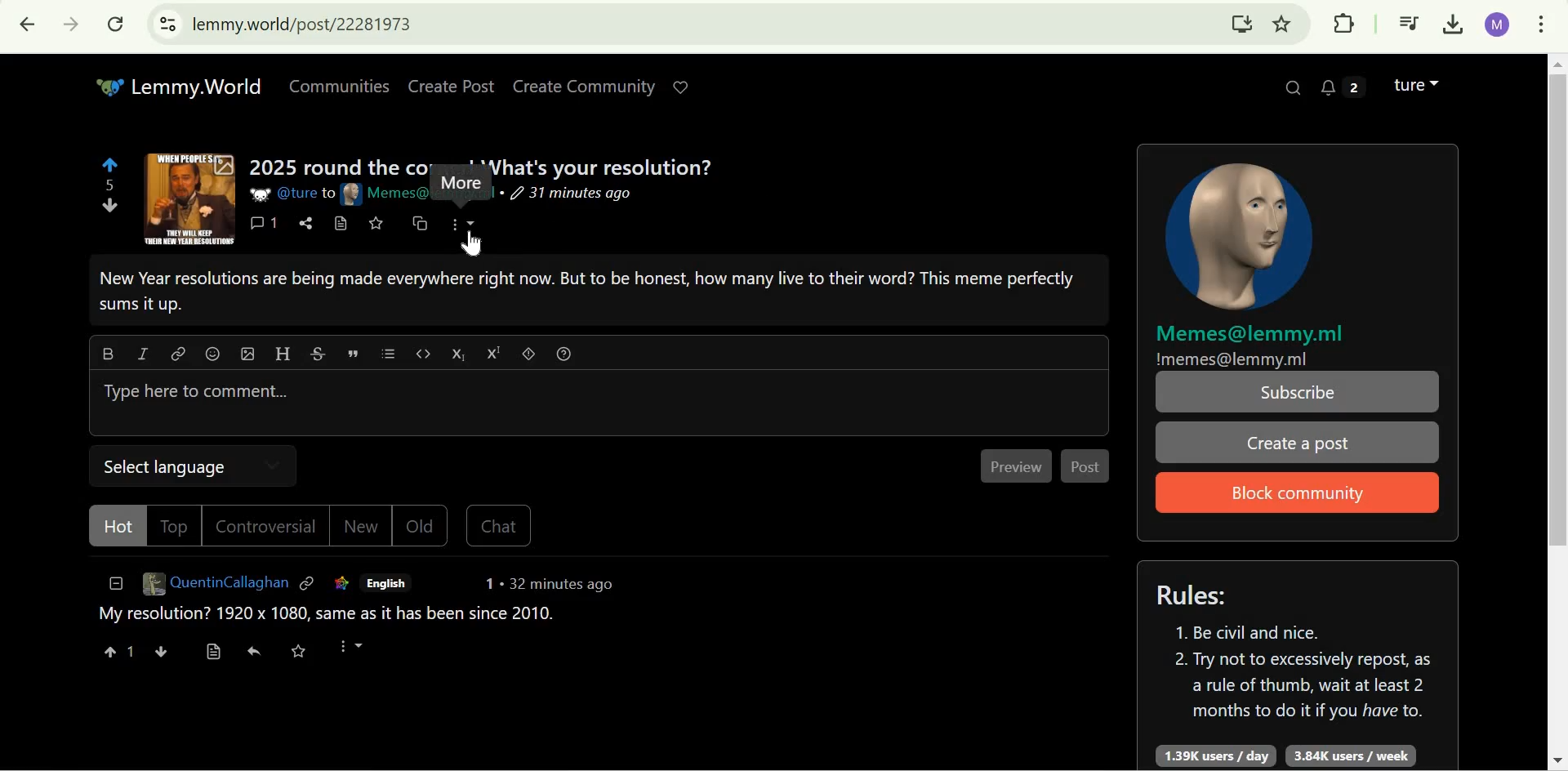  What do you see at coordinates (483, 164) in the screenshot?
I see `2025 round the cor ' *Vhat's vour resolution?` at bounding box center [483, 164].